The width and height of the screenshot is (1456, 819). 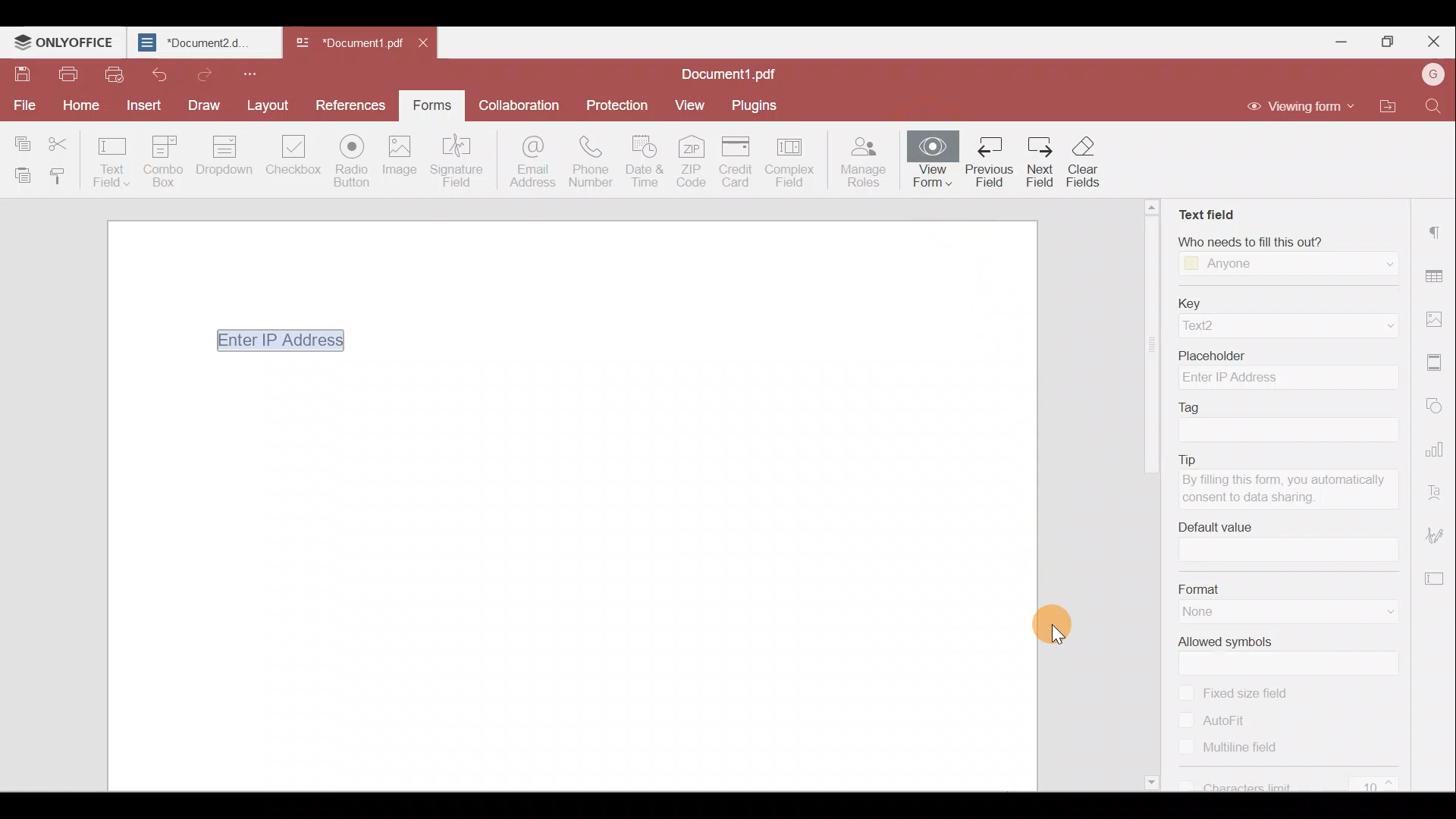 I want to click on Save, so click(x=20, y=73).